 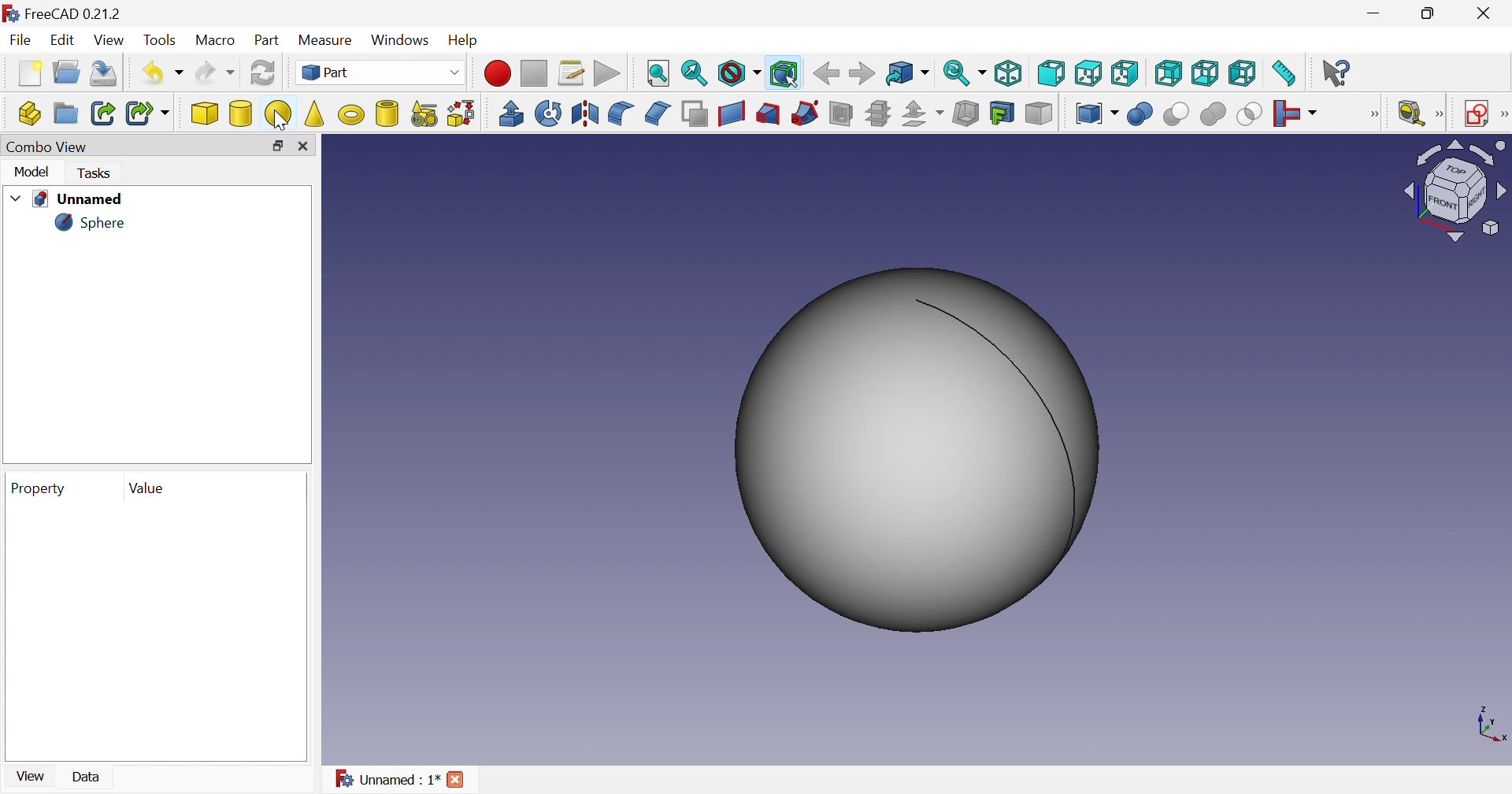 I want to click on Color per face, so click(x=1039, y=113).